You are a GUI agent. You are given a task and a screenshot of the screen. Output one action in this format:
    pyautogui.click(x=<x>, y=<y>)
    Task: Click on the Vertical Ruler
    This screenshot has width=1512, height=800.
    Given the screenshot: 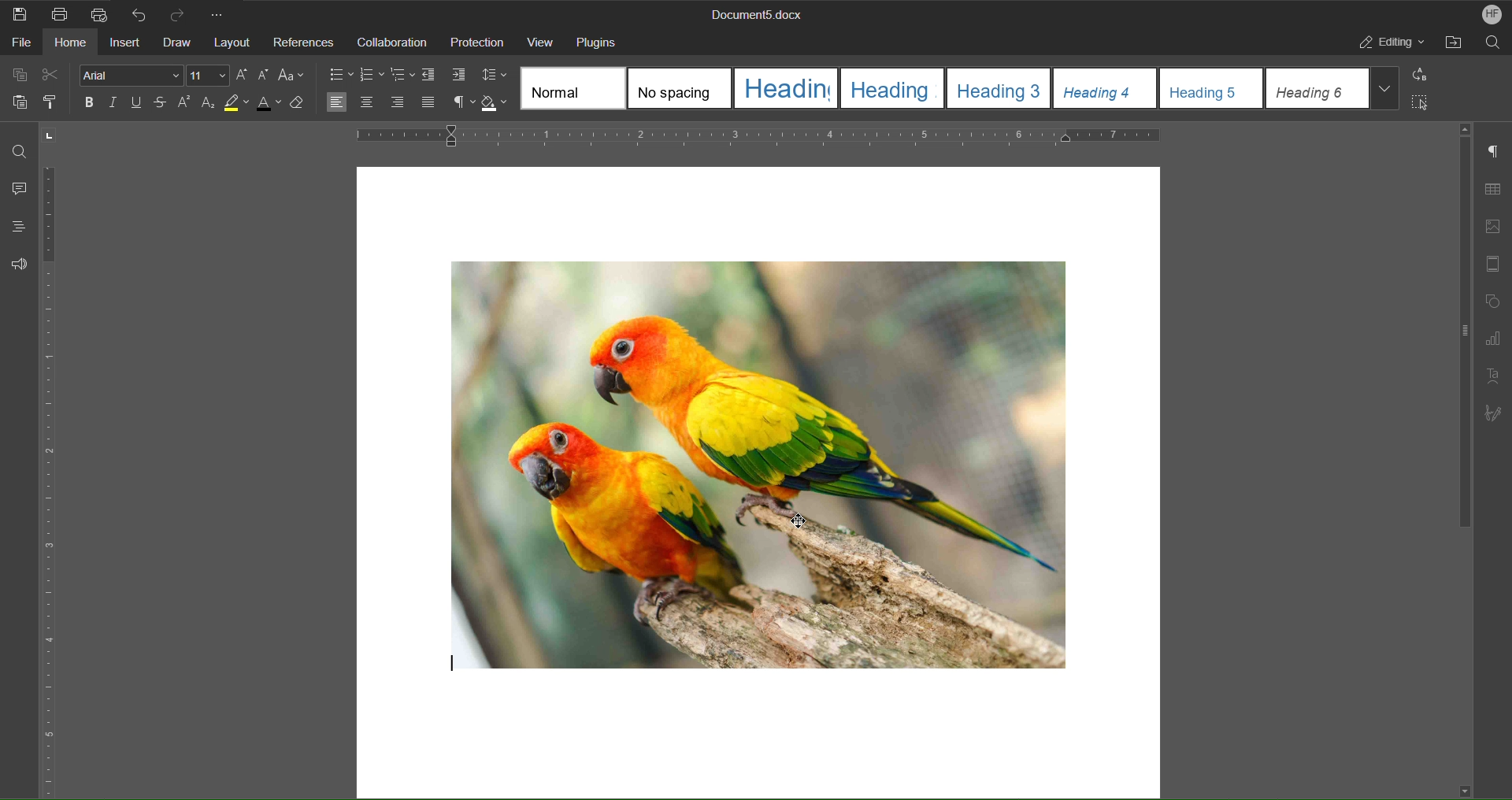 What is the action you would take?
    pyautogui.click(x=51, y=483)
    